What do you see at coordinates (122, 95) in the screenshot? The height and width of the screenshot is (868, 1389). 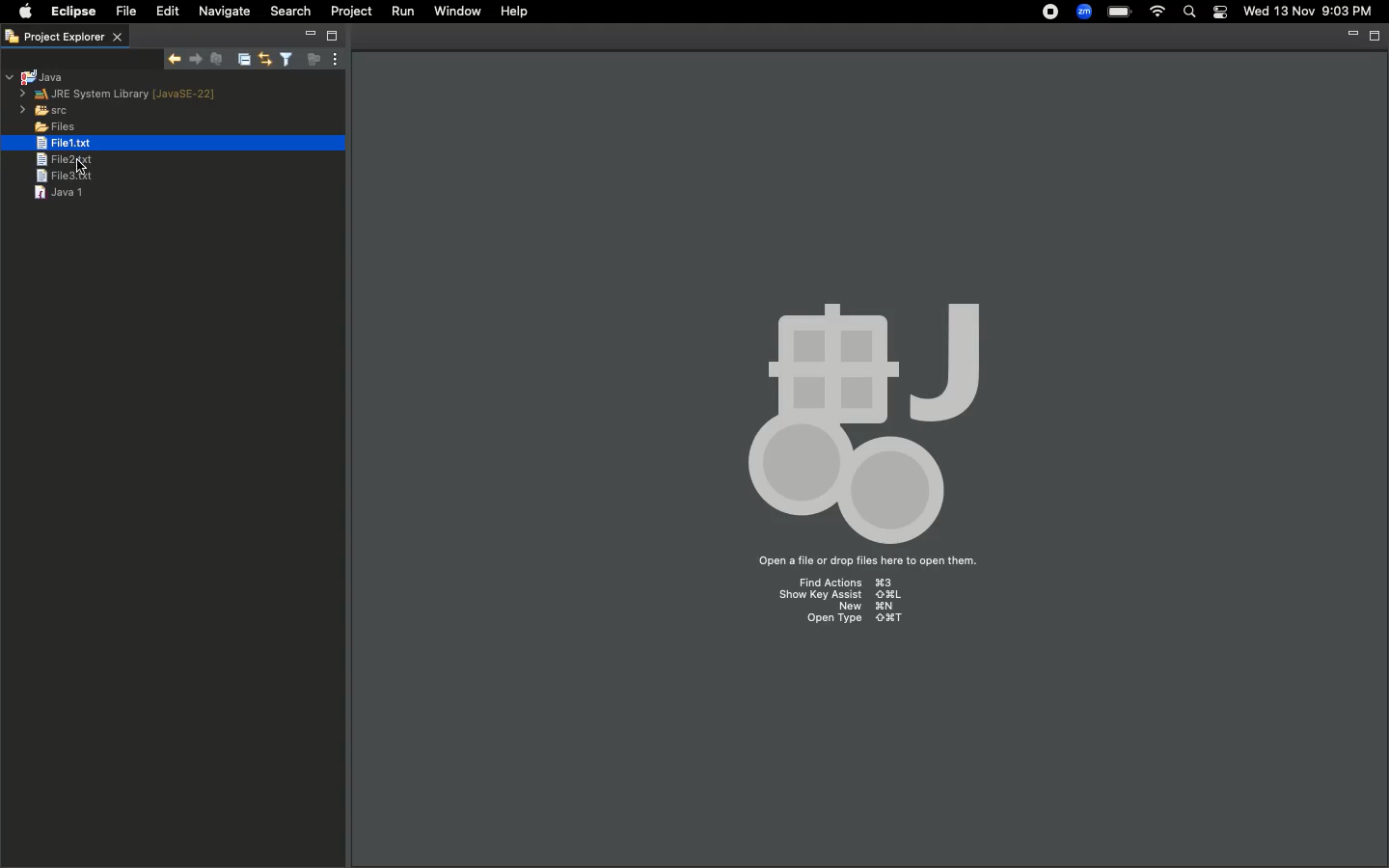 I see `JRE system library` at bounding box center [122, 95].